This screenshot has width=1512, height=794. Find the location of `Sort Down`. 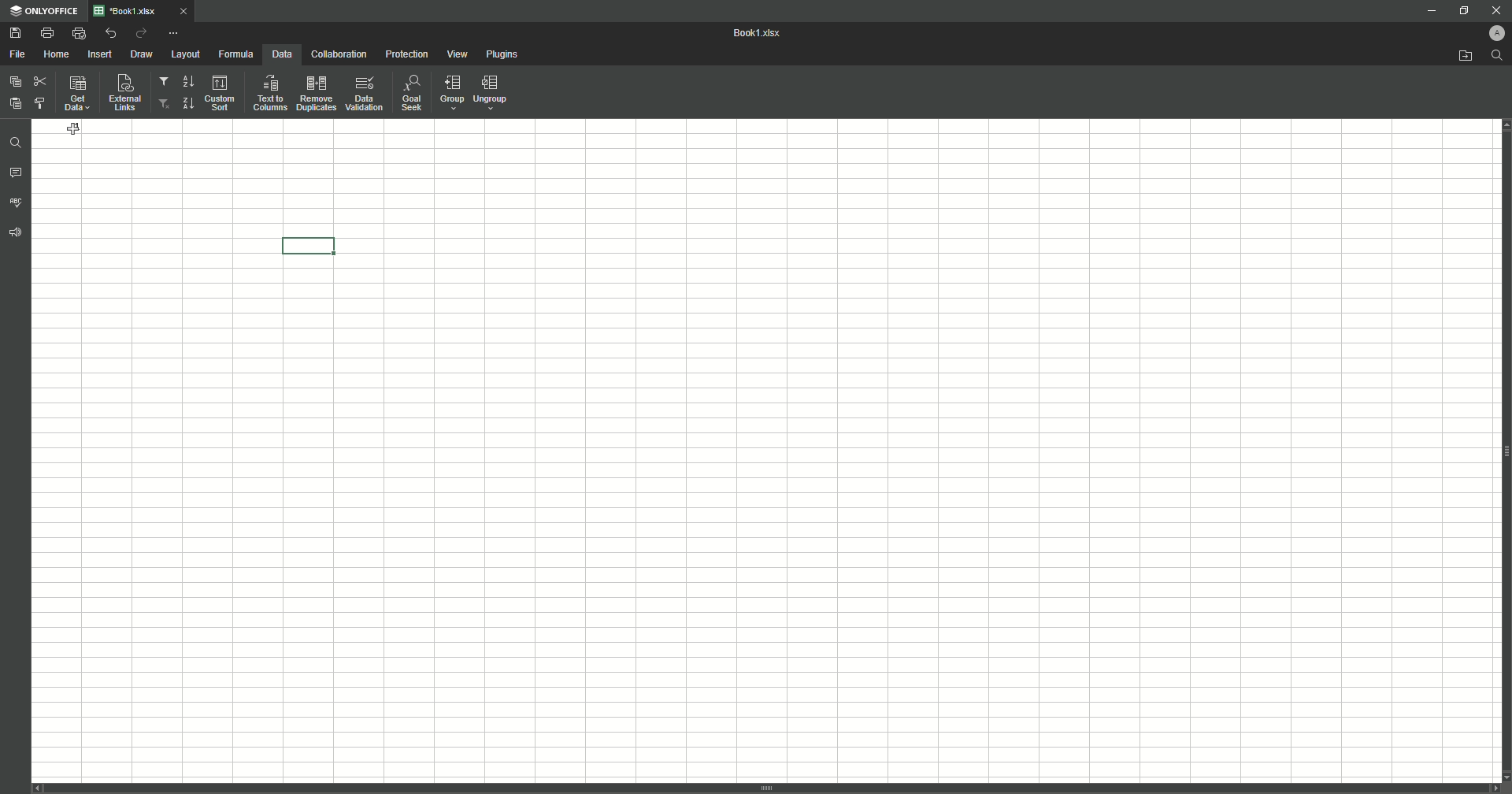

Sort Down is located at coordinates (188, 81).